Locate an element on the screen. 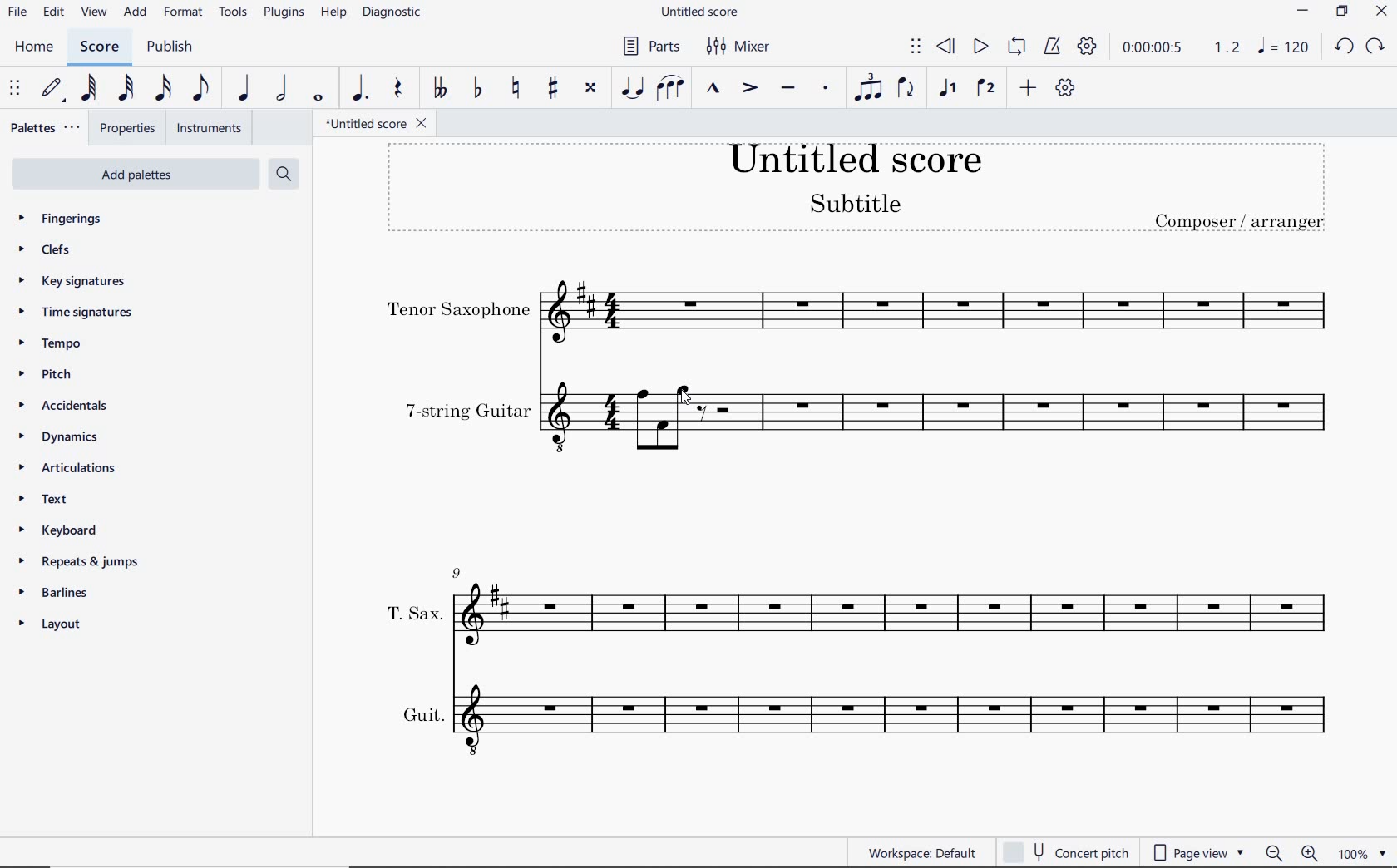 The width and height of the screenshot is (1397, 868). INSTRUMENTS is located at coordinates (209, 127).